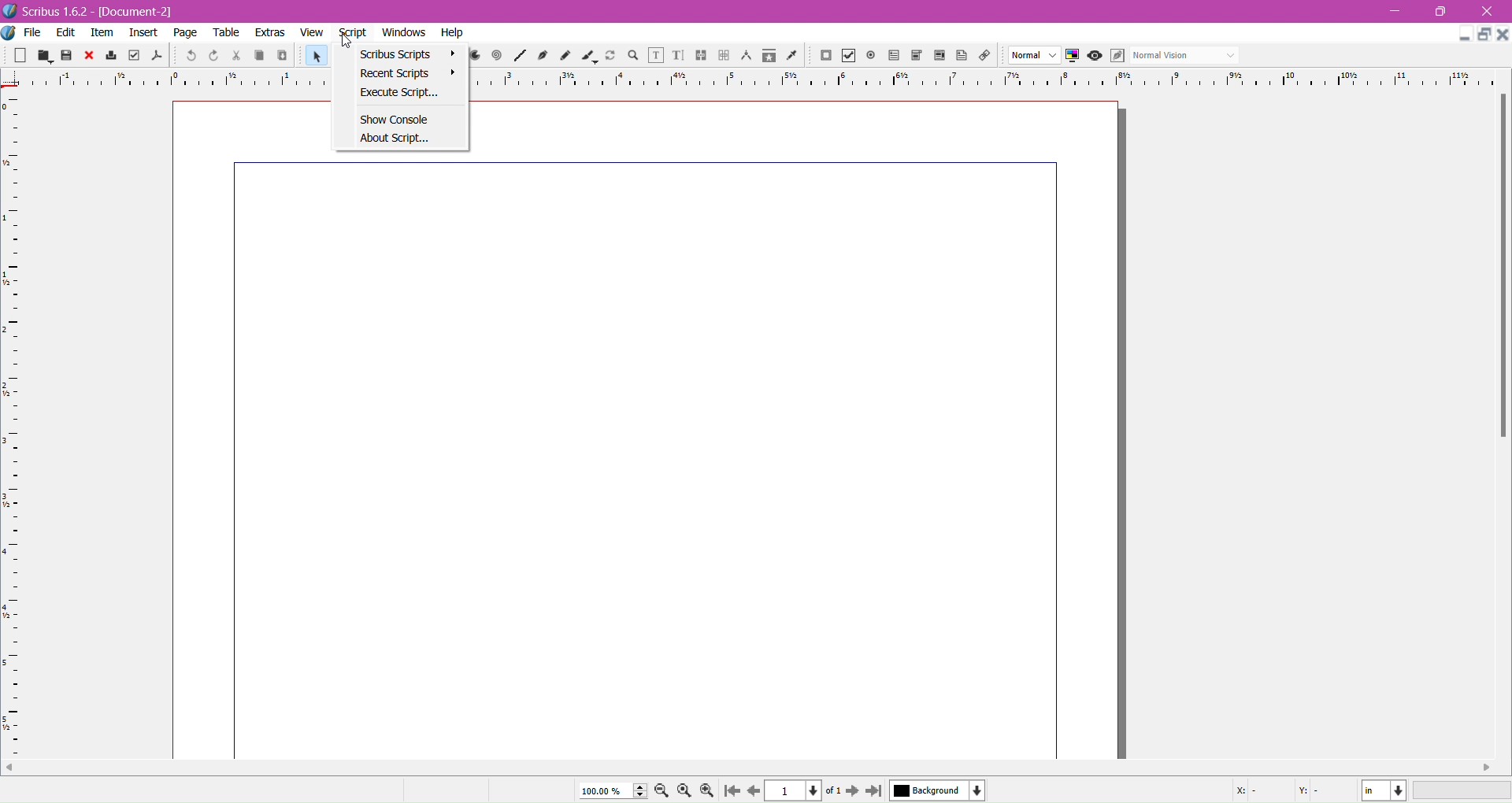  What do you see at coordinates (1483, 36) in the screenshot?
I see `Restore Down Document` at bounding box center [1483, 36].